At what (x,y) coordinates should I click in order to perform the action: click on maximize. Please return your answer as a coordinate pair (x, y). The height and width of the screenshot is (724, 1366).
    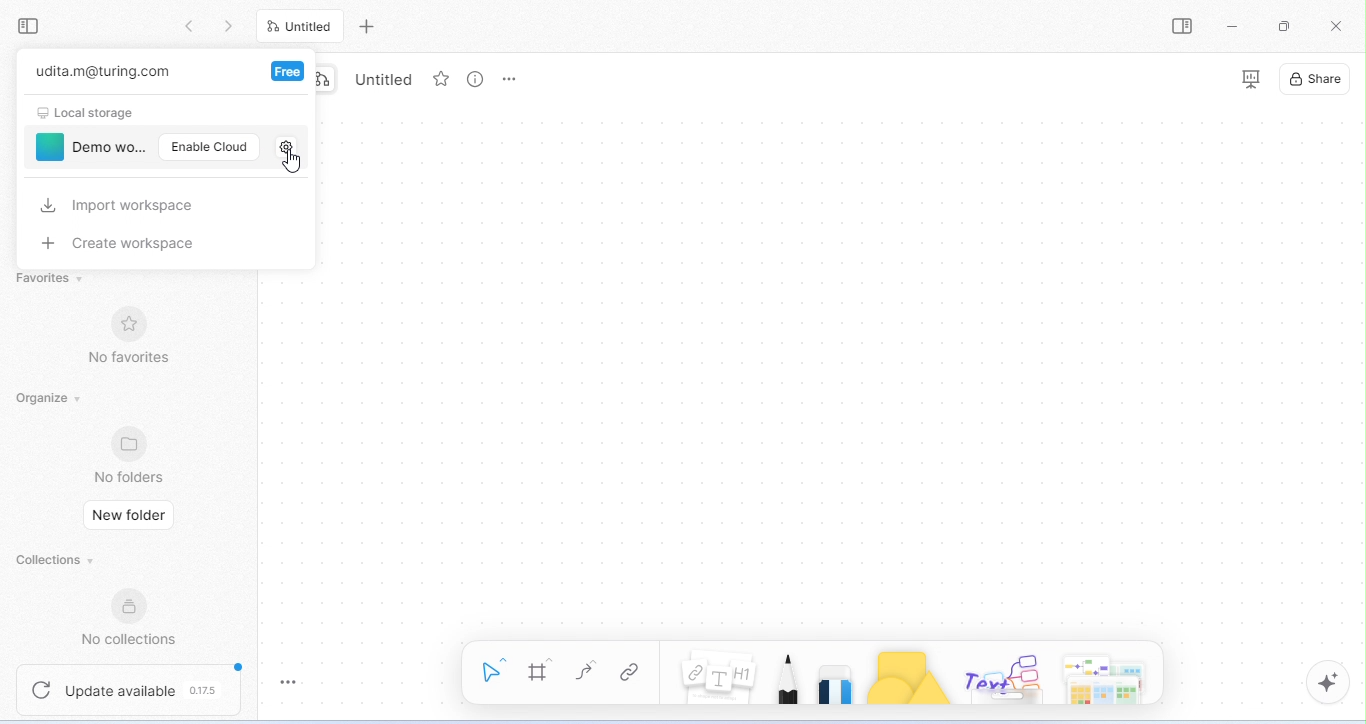
    Looking at the image, I should click on (1287, 25).